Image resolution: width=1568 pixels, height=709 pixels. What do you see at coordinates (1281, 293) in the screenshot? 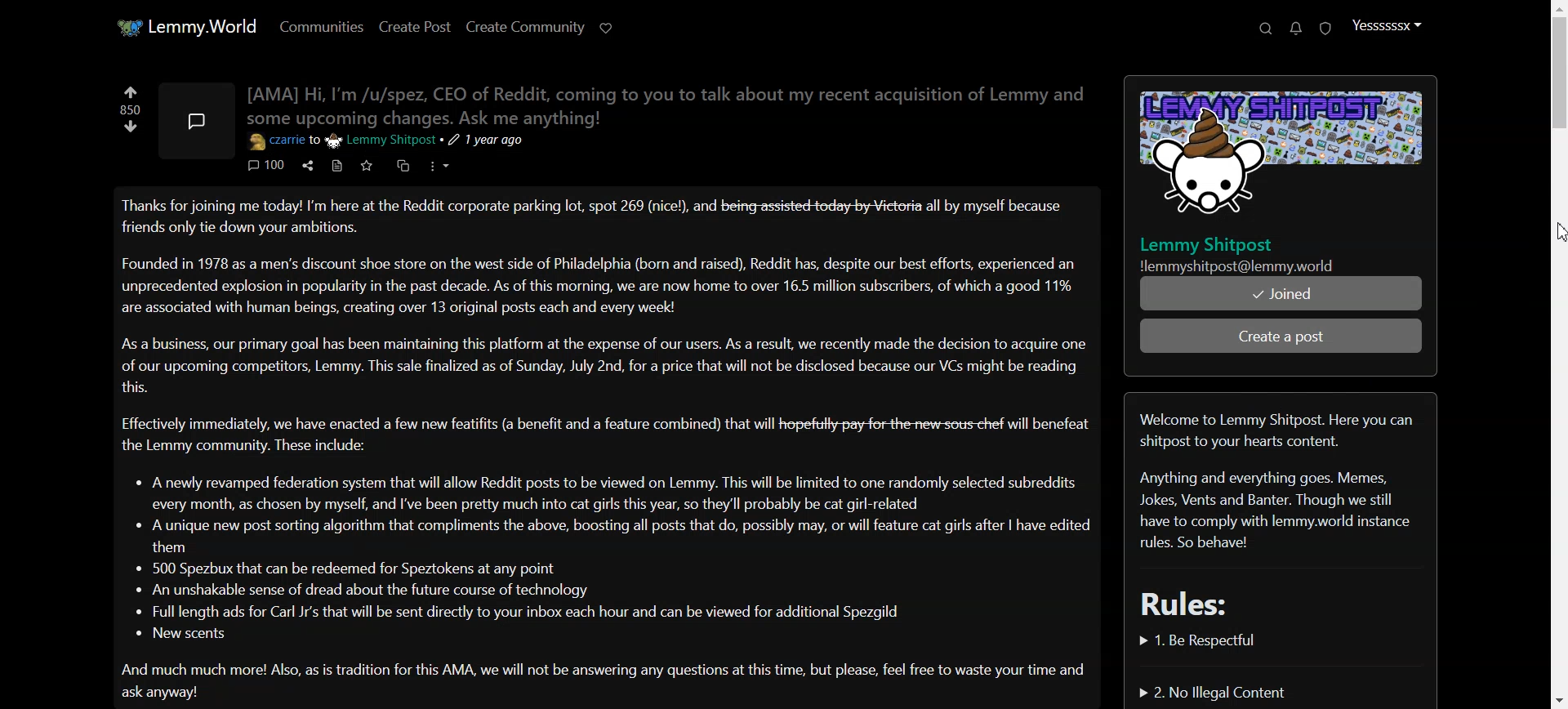
I see `Joined` at bounding box center [1281, 293].